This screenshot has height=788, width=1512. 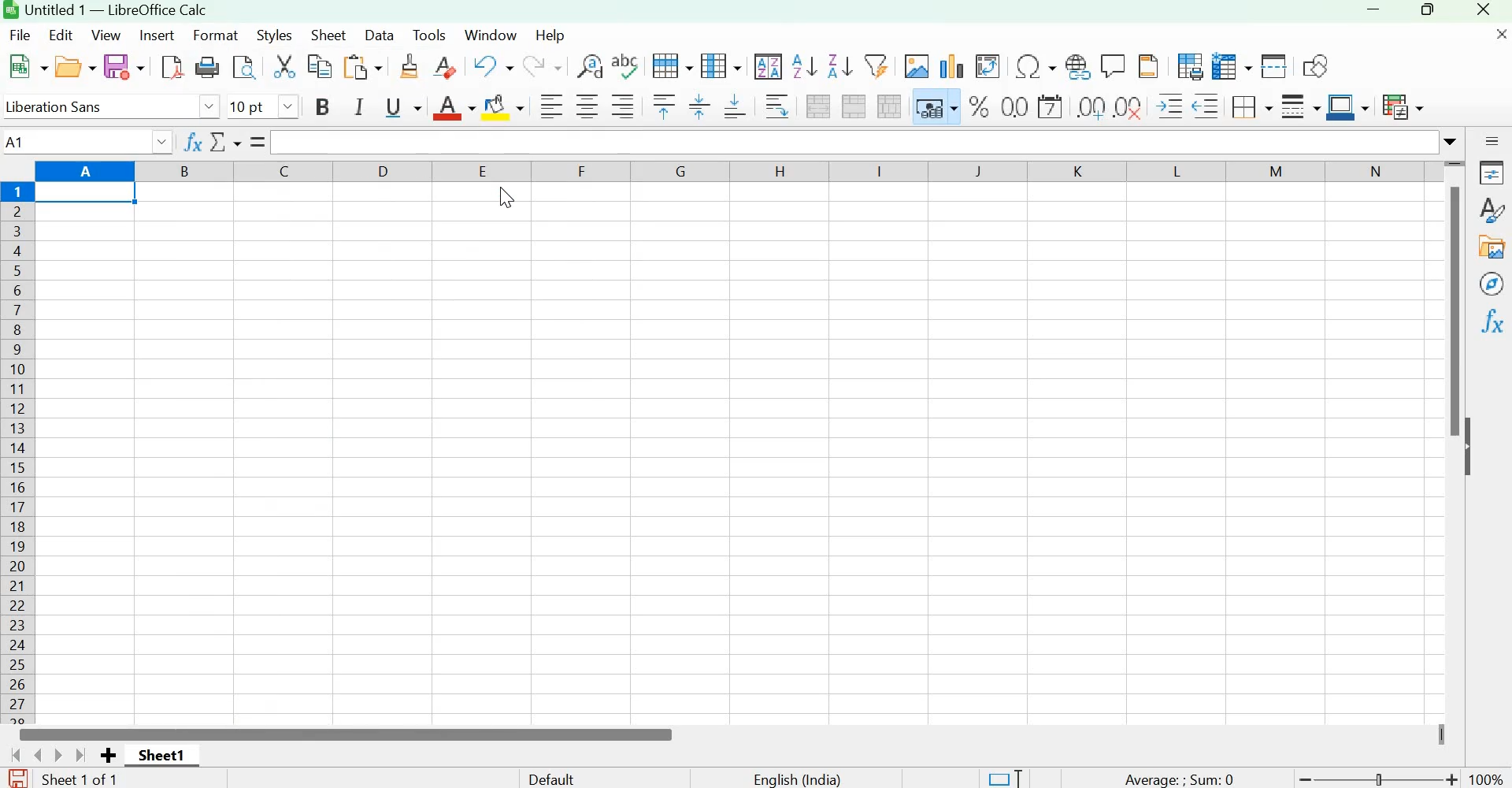 What do you see at coordinates (13, 752) in the screenshot?
I see `Scroll to first sheet` at bounding box center [13, 752].